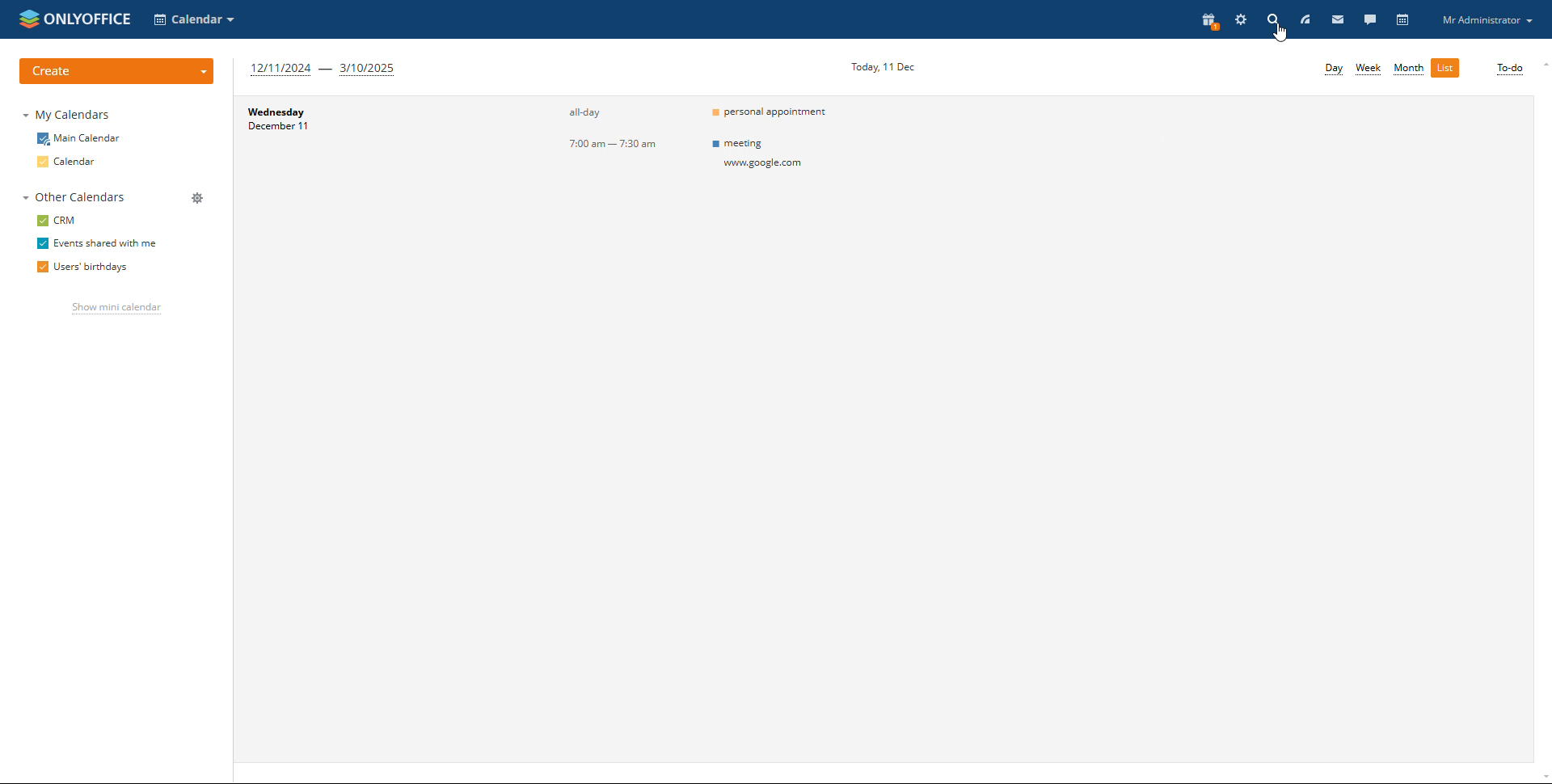 The height and width of the screenshot is (784, 1552). What do you see at coordinates (1369, 19) in the screenshot?
I see `talk` at bounding box center [1369, 19].